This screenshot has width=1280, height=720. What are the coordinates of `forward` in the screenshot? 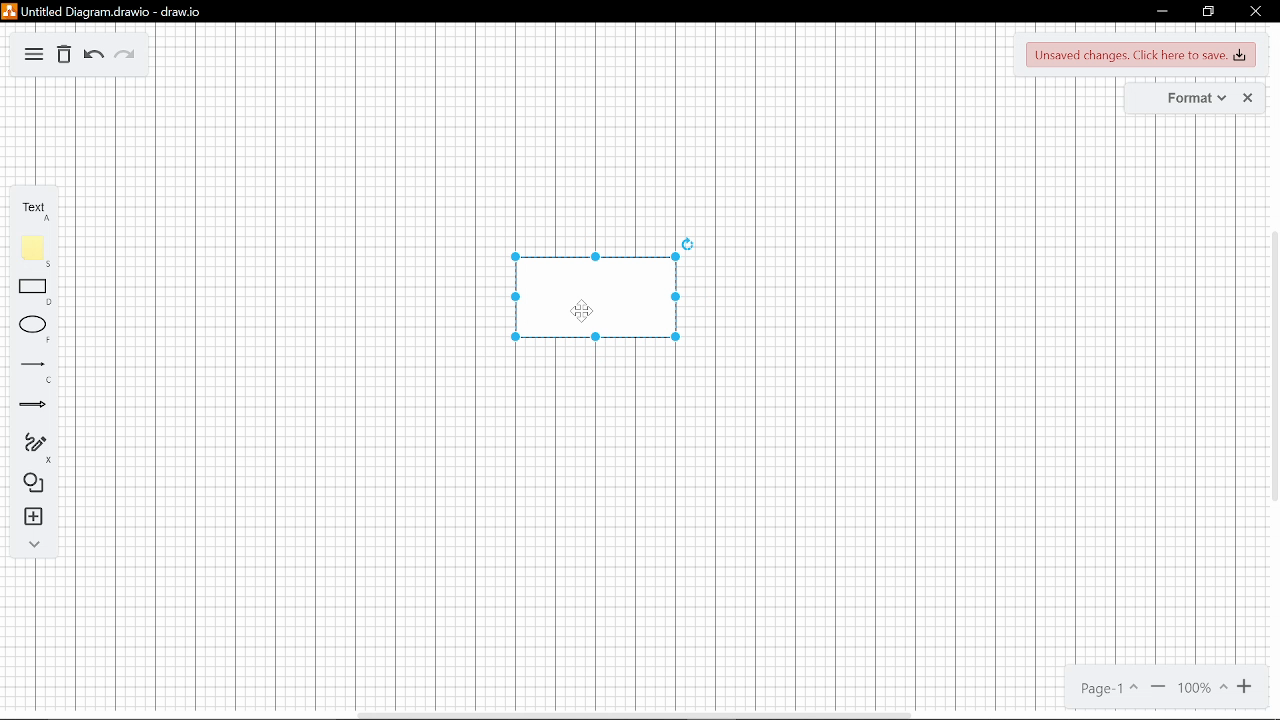 It's located at (126, 56).